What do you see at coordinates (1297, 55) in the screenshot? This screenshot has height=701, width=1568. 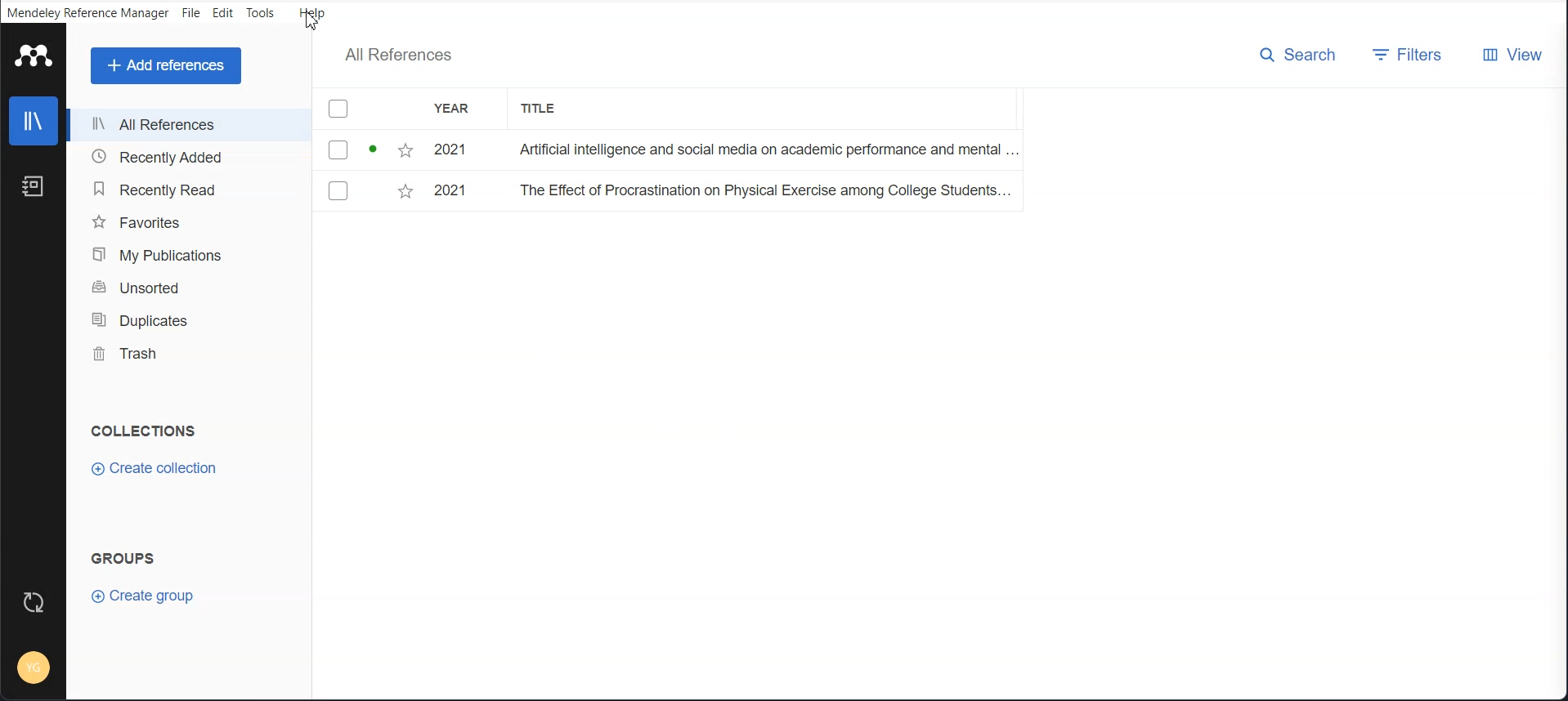 I see `Search` at bounding box center [1297, 55].